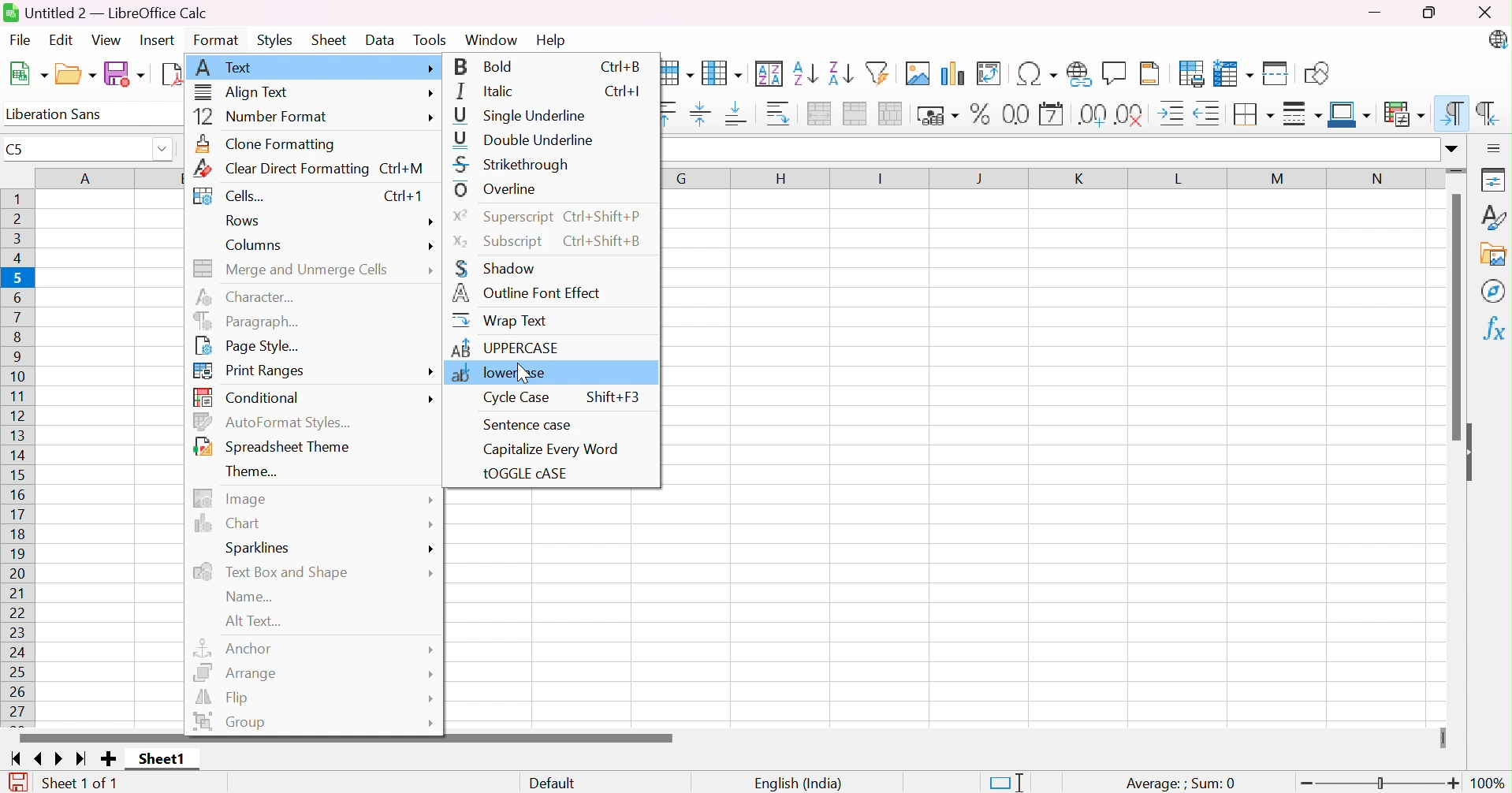 The width and height of the screenshot is (1512, 793). What do you see at coordinates (1496, 177) in the screenshot?
I see `Properties` at bounding box center [1496, 177].